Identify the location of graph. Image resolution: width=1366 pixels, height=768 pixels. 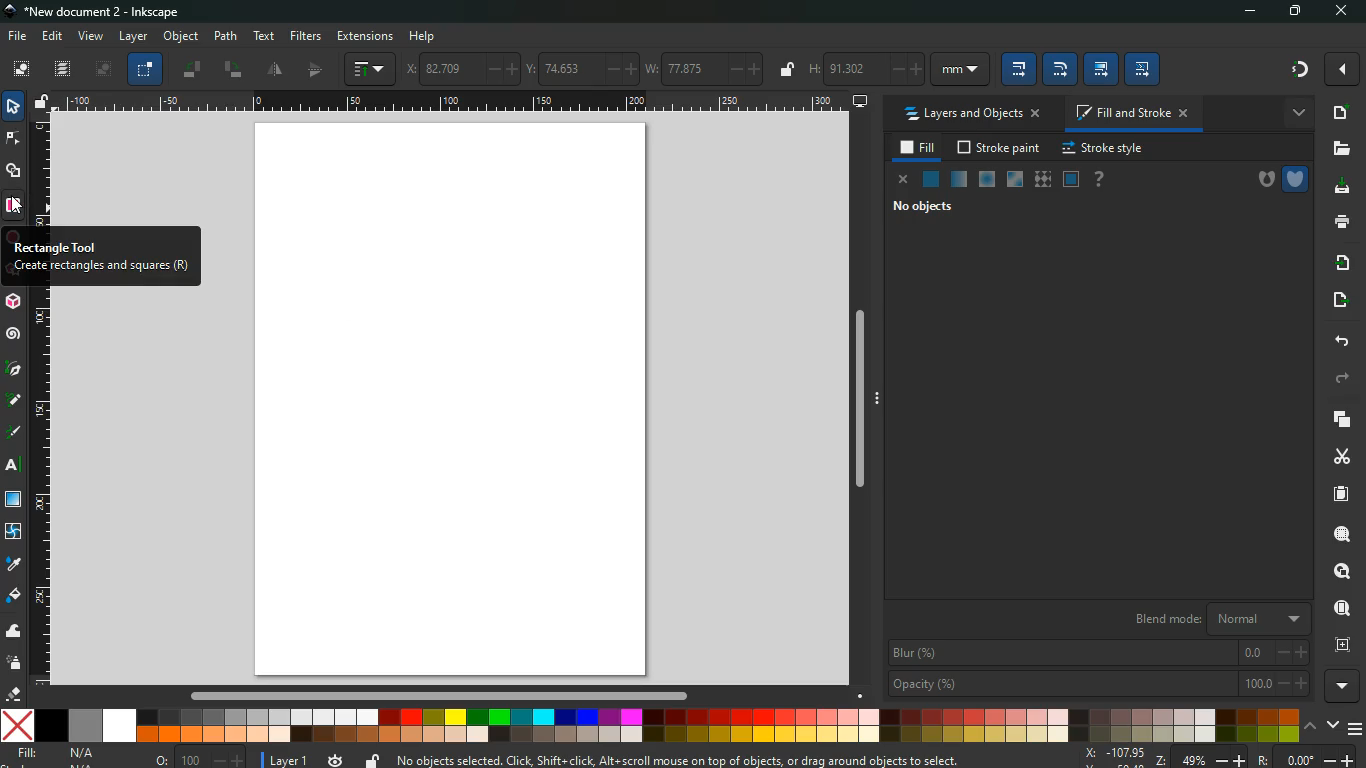
(369, 69).